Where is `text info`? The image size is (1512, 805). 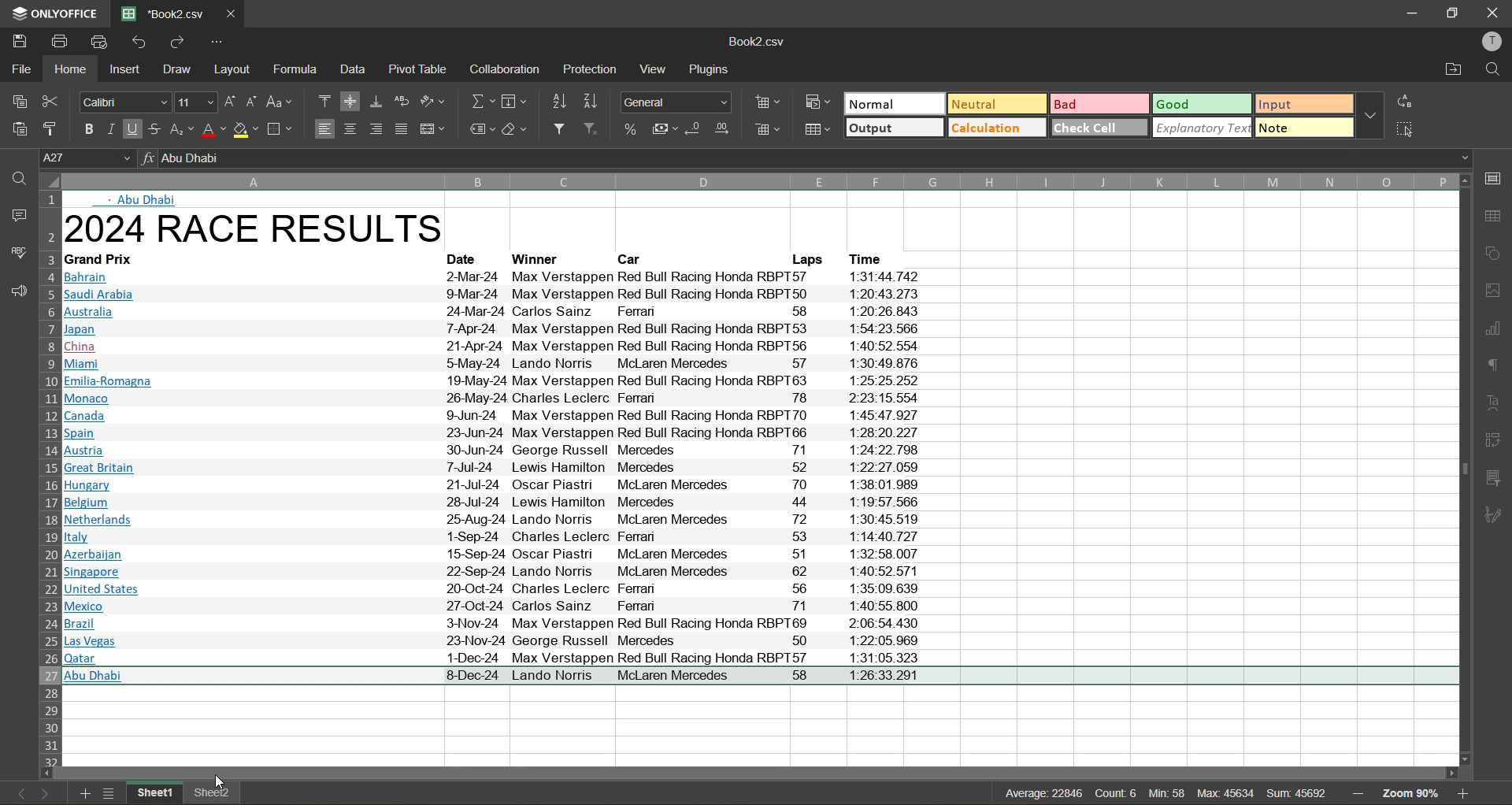 text info is located at coordinates (635, 259).